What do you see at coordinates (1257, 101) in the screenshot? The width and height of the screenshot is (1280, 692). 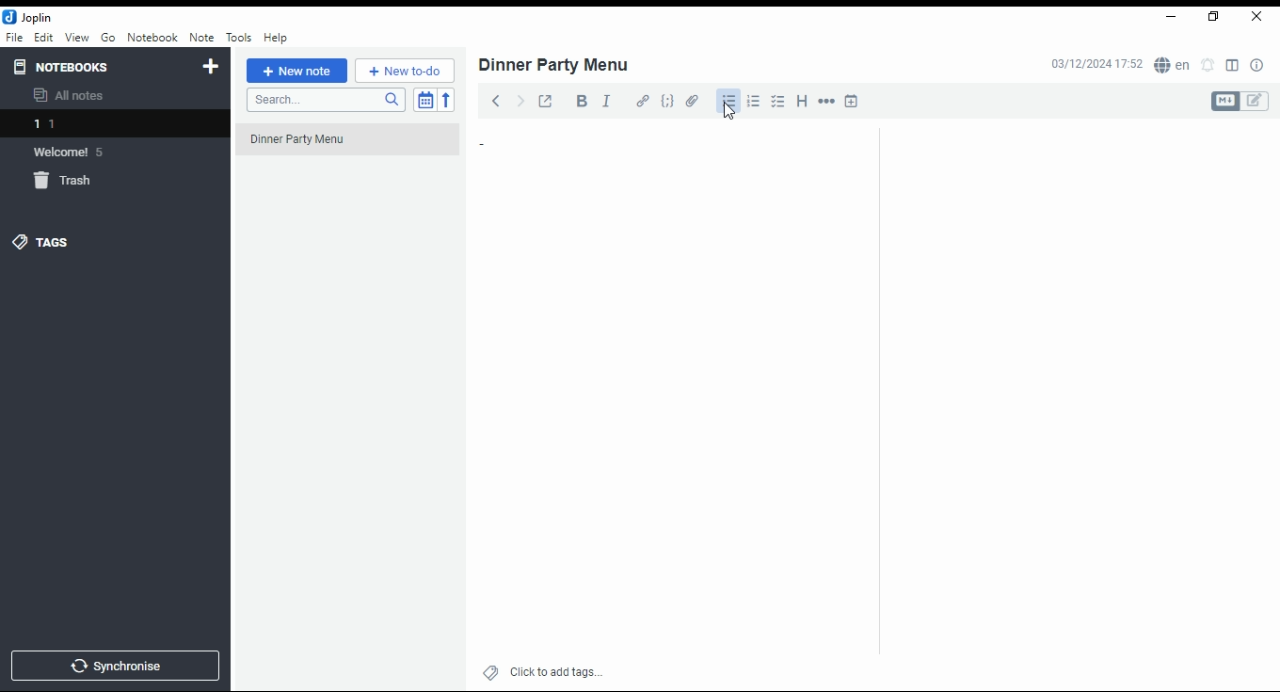 I see `edit` at bounding box center [1257, 101].